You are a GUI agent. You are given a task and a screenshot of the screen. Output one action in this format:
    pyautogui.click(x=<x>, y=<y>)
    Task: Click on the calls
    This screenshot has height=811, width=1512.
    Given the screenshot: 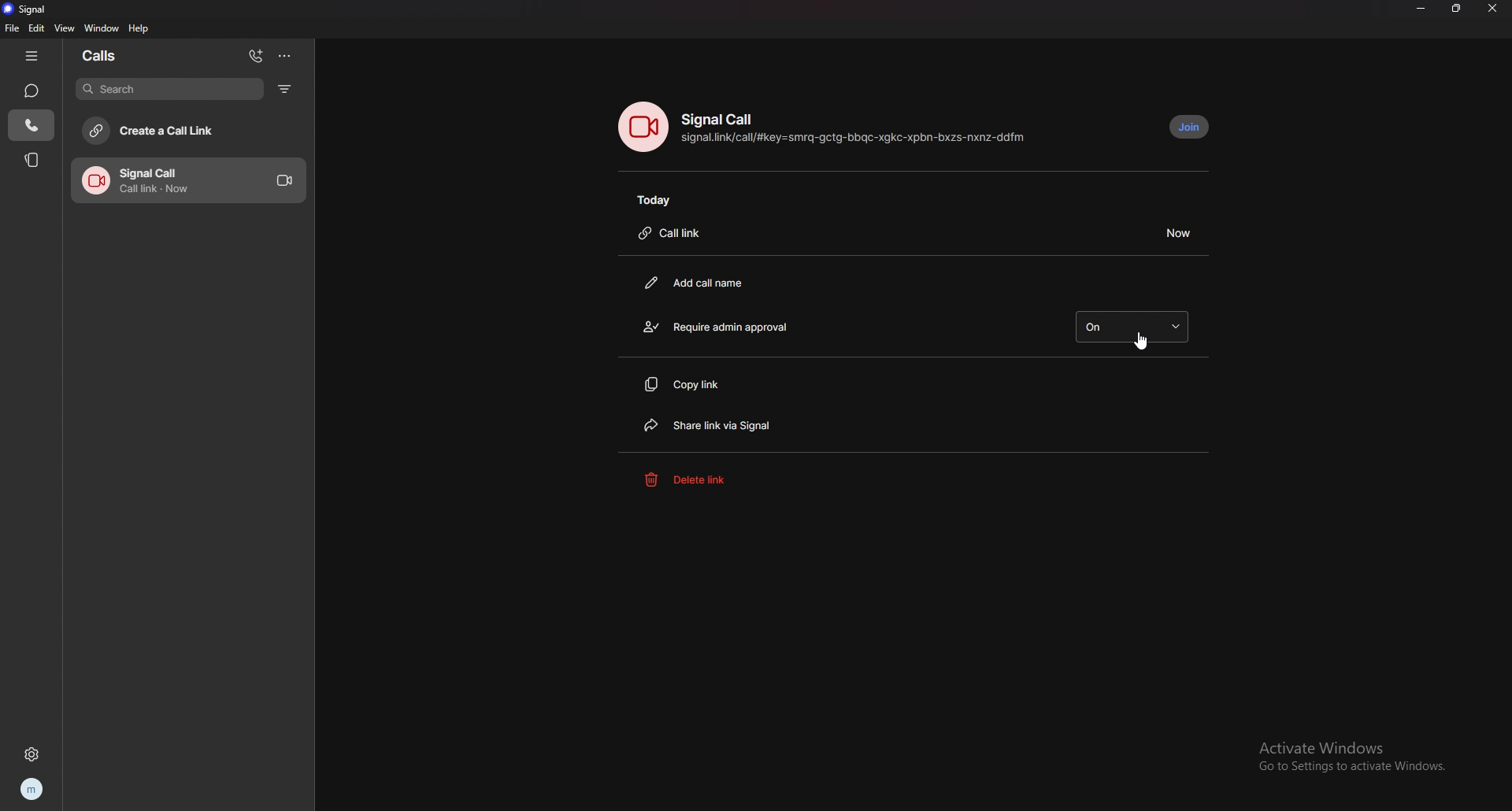 What is the action you would take?
    pyautogui.click(x=118, y=54)
    